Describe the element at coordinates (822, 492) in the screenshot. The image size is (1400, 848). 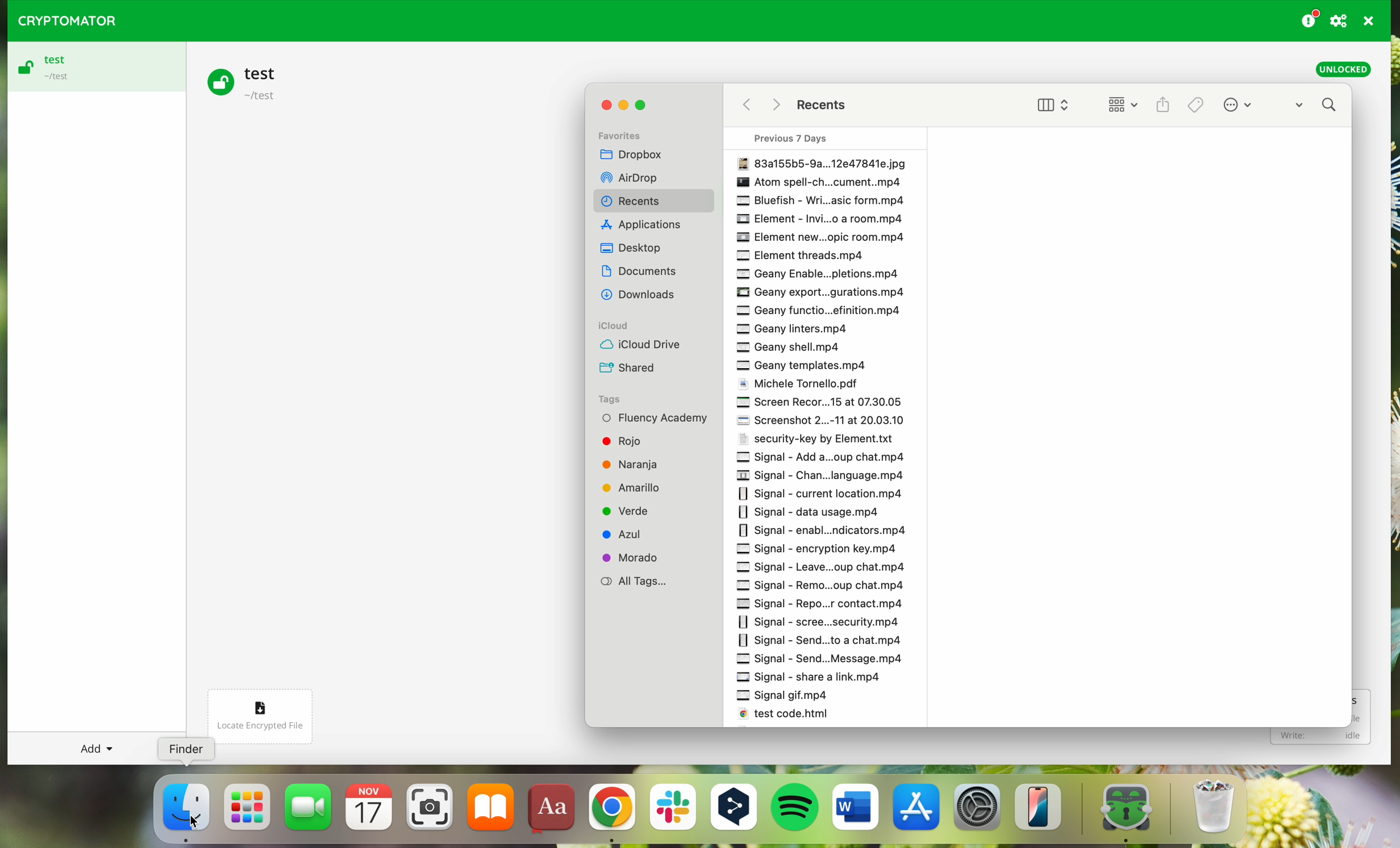
I see `signal current location` at that location.